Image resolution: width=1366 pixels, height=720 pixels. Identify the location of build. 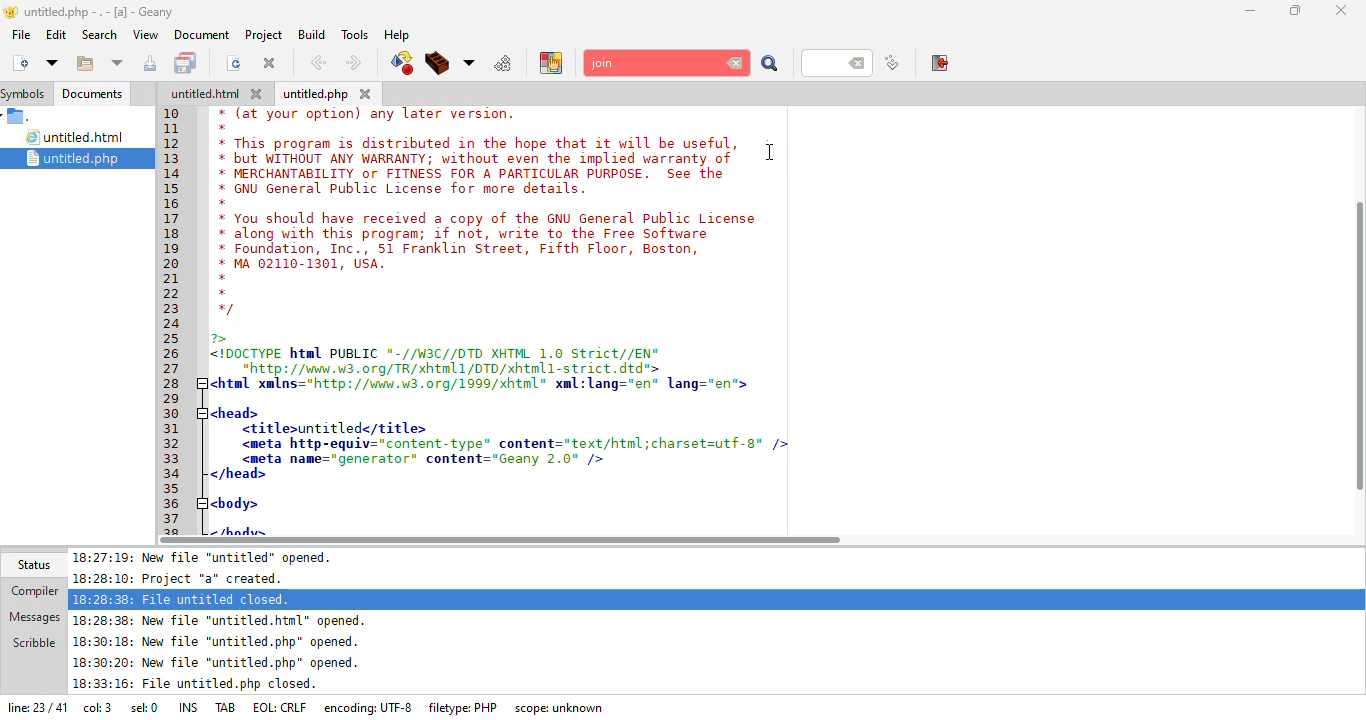
(438, 64).